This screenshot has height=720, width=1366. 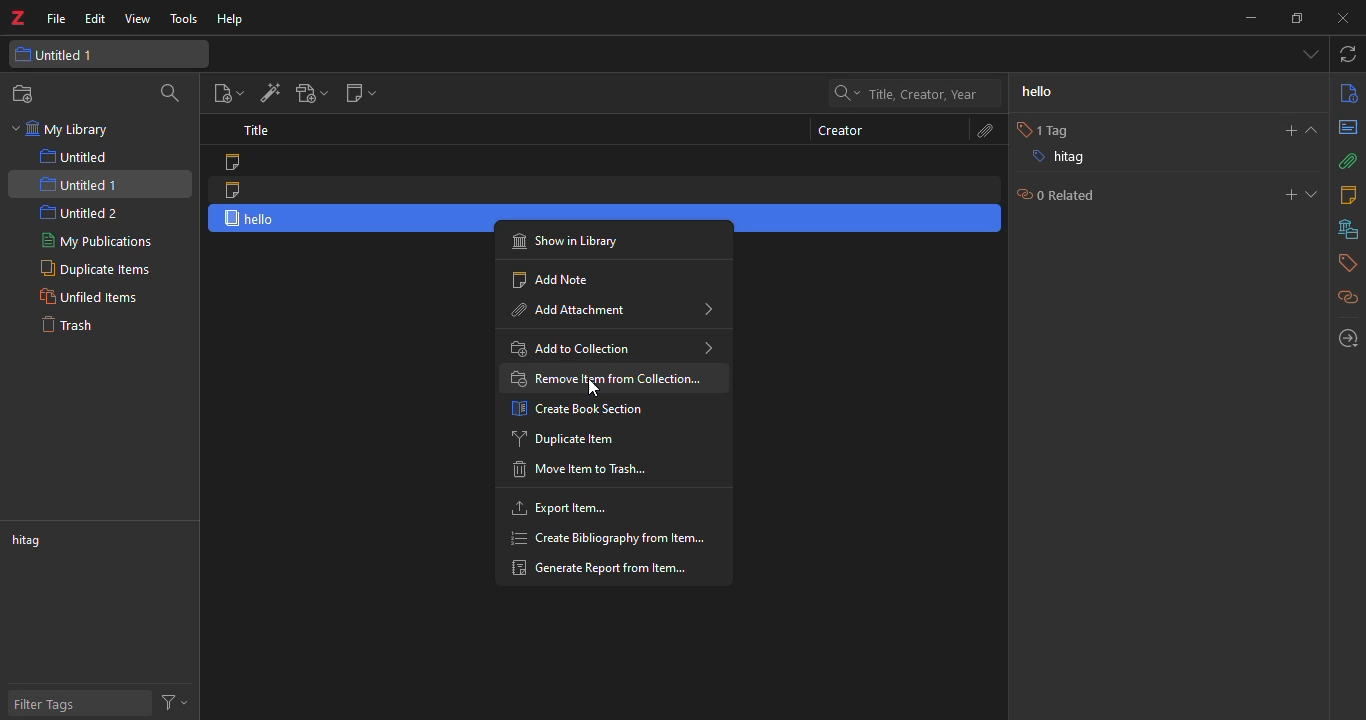 I want to click on my library, so click(x=72, y=131).